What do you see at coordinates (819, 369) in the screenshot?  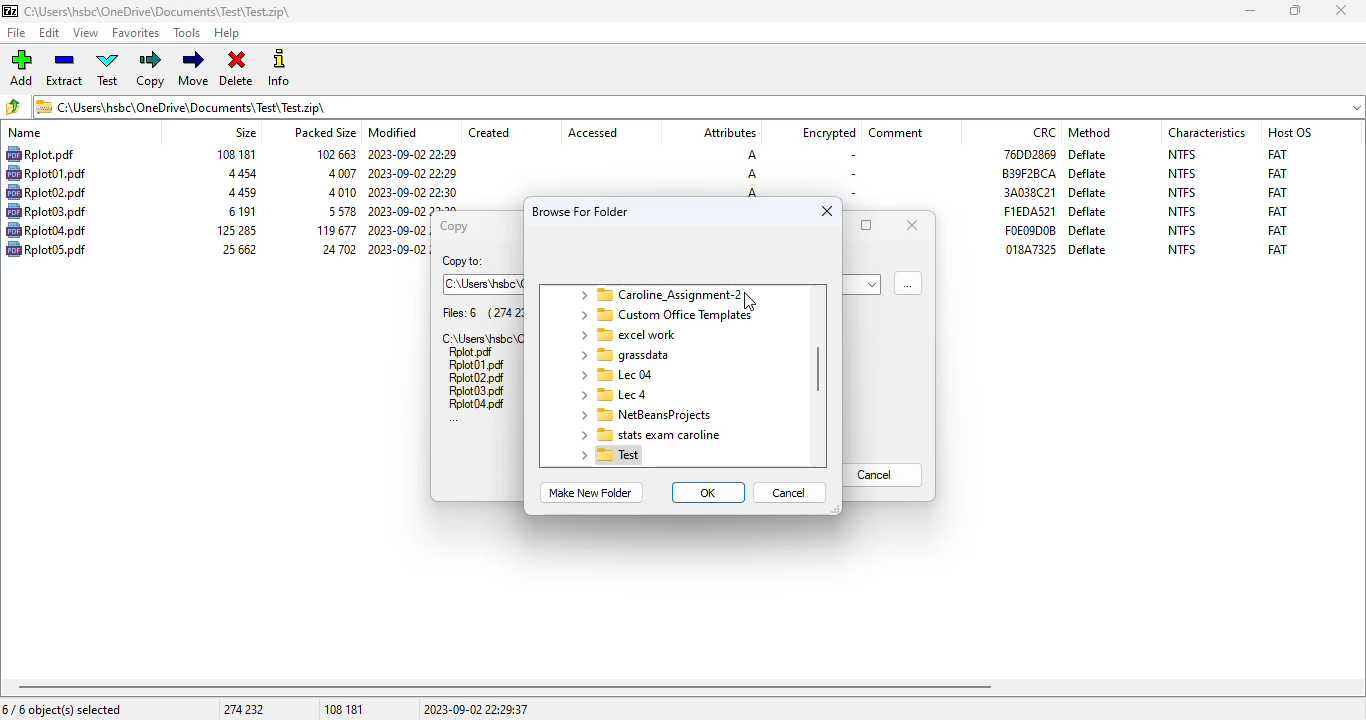 I see `vertical scroll bar` at bounding box center [819, 369].